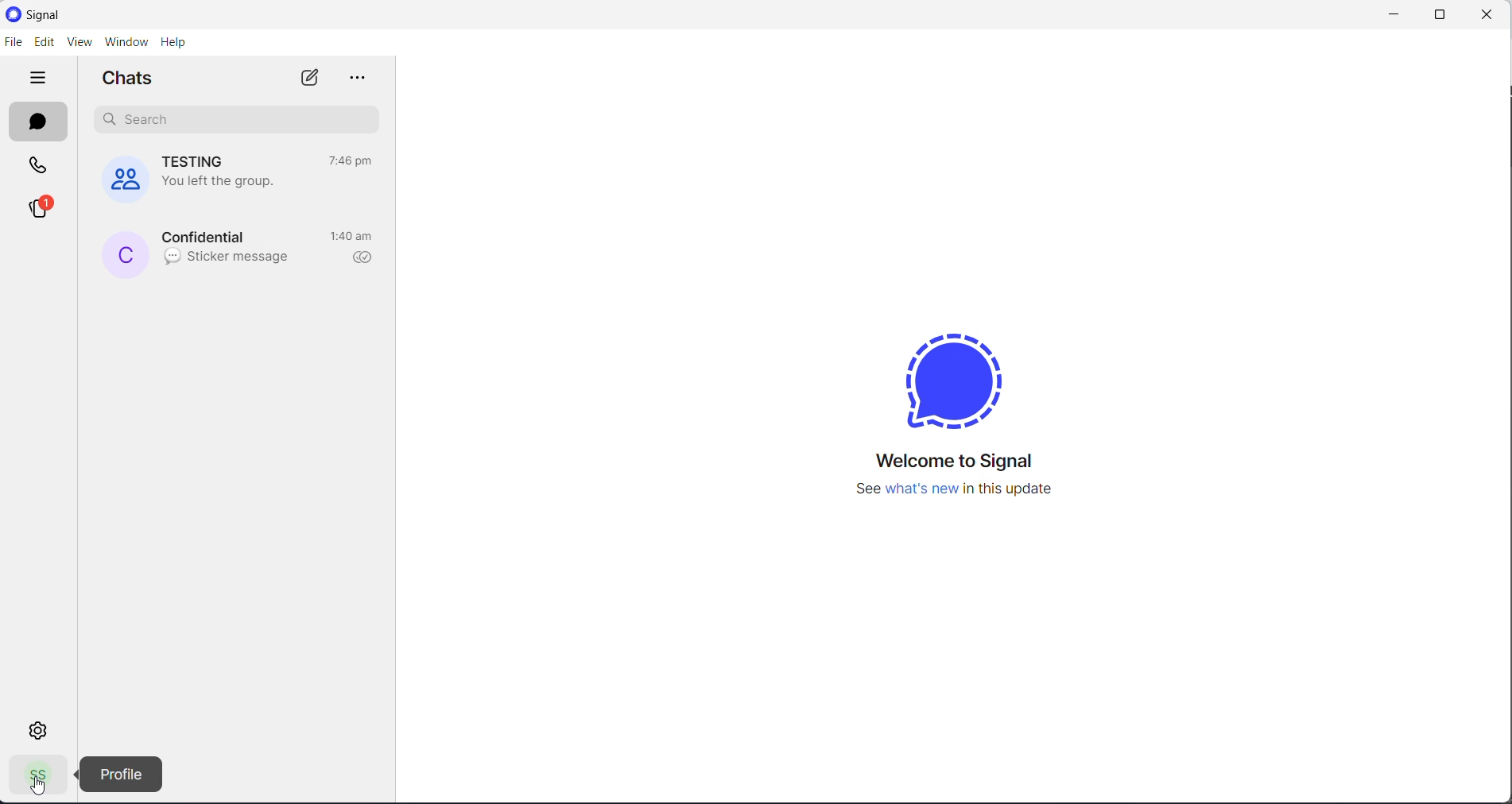 Image resolution: width=1512 pixels, height=804 pixels. Describe the element at coordinates (196, 160) in the screenshot. I see `group name` at that location.